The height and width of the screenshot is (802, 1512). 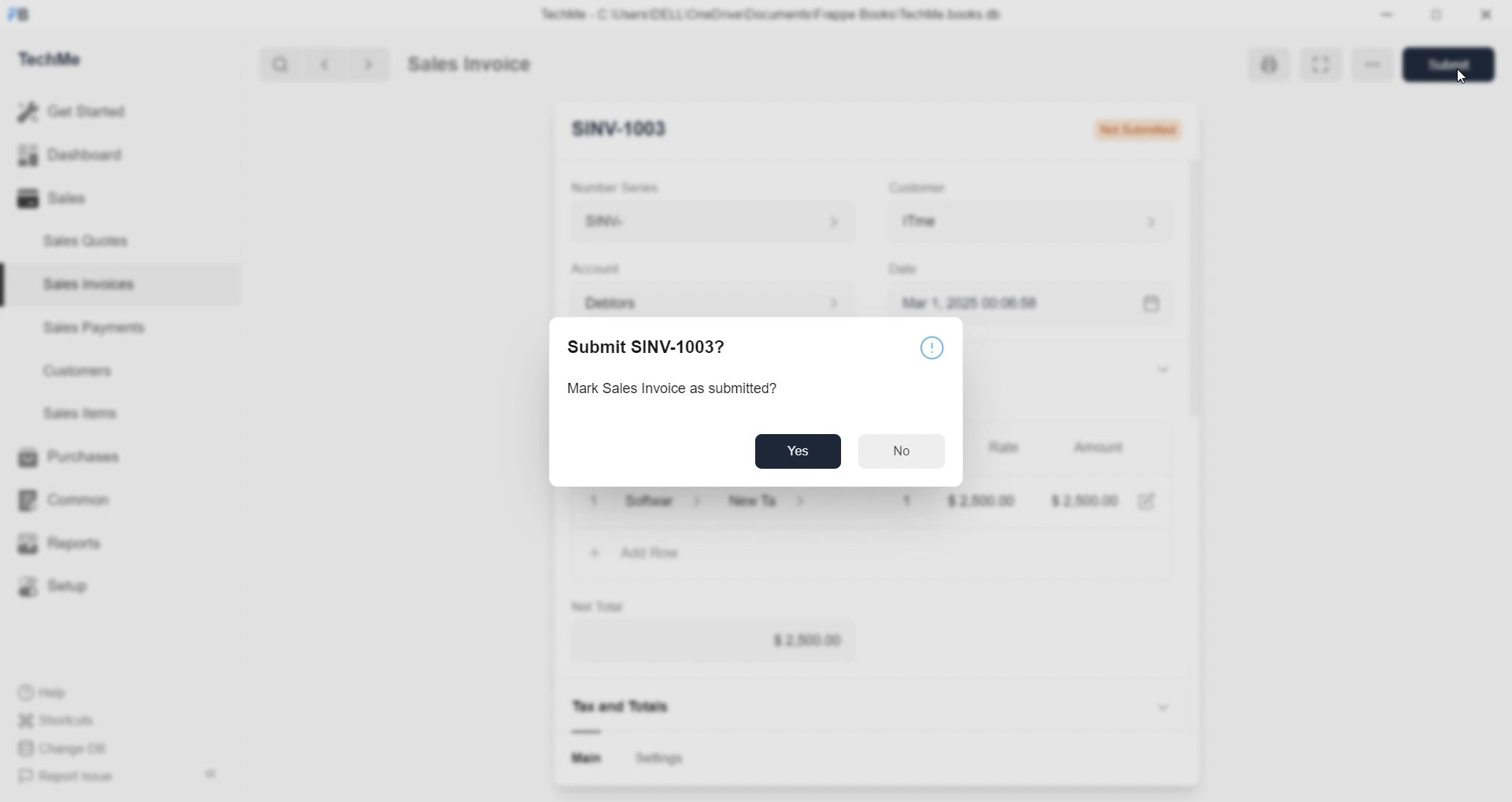 I want to click on Yes, so click(x=799, y=448).